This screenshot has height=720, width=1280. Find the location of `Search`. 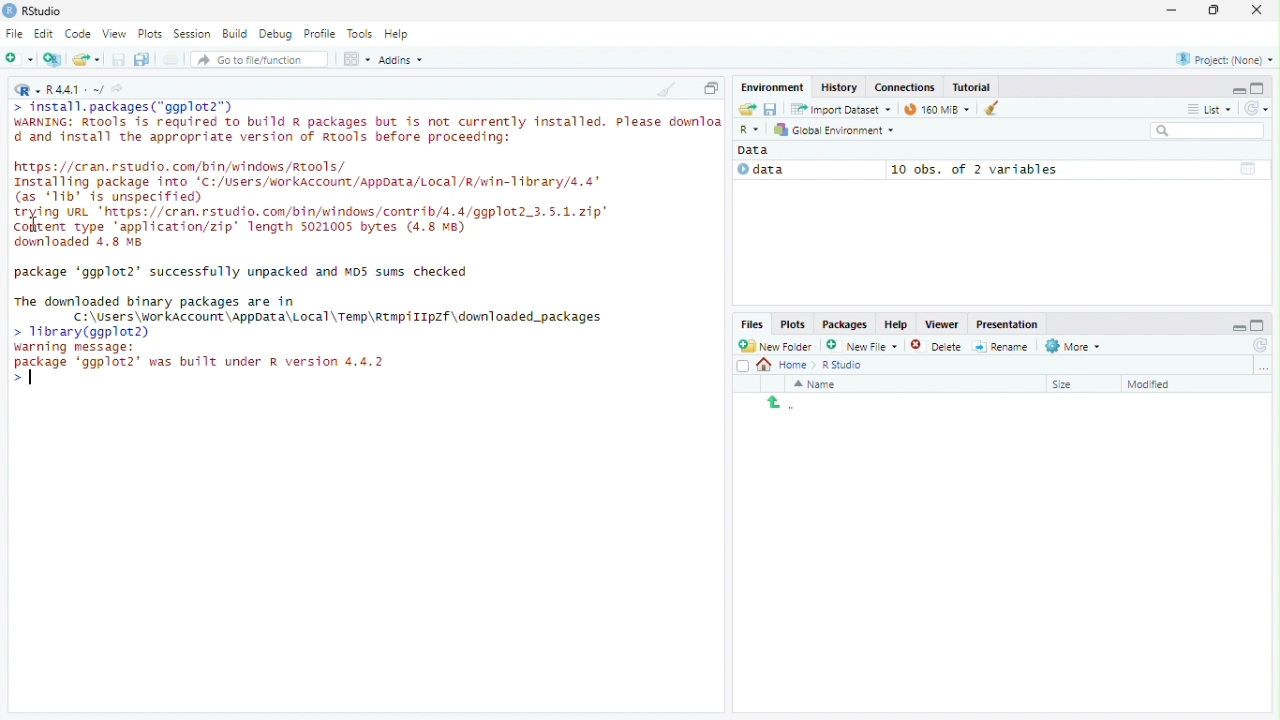

Search is located at coordinates (1209, 131).